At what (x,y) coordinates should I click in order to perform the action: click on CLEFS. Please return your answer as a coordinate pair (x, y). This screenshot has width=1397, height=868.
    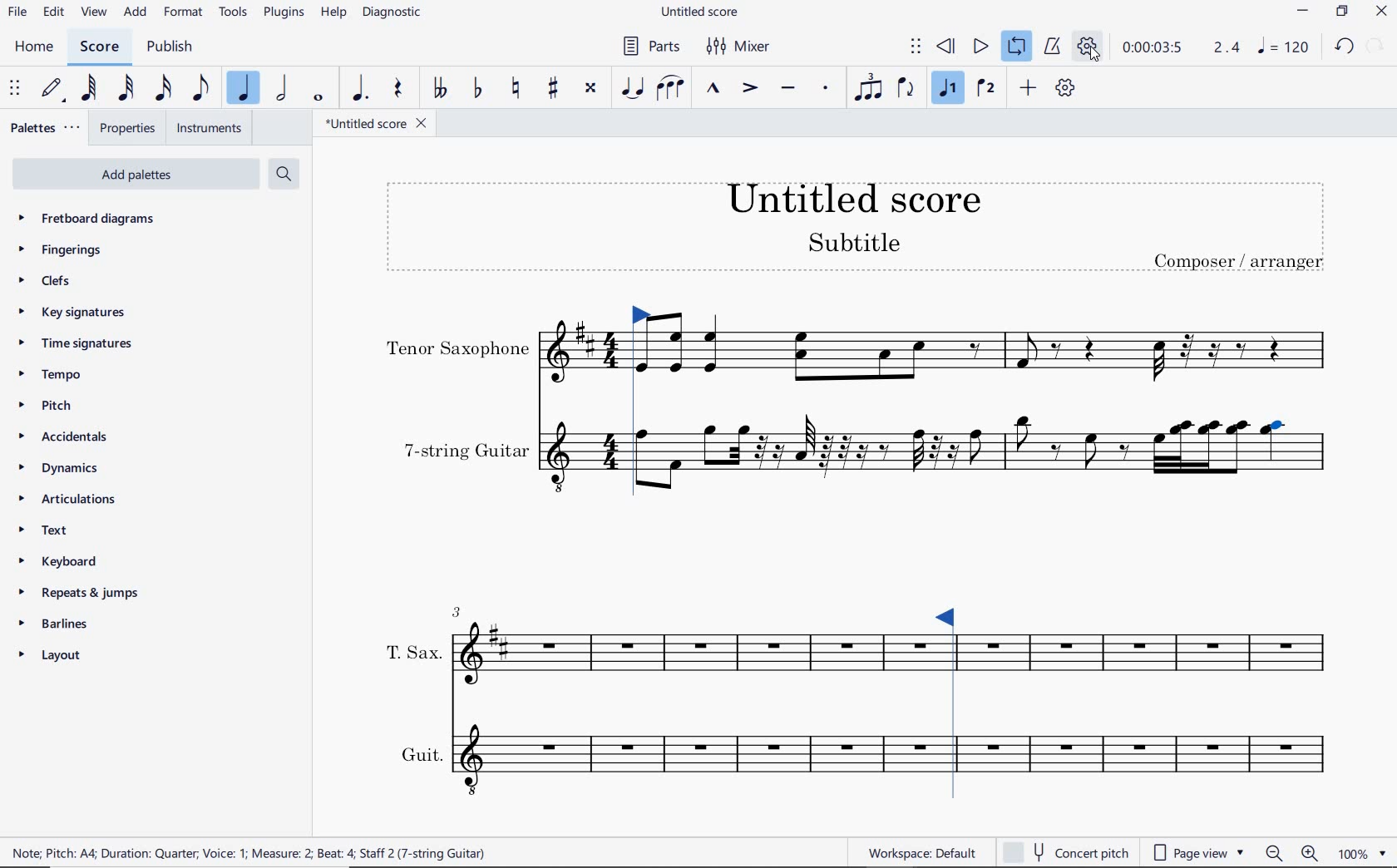
    Looking at the image, I should click on (52, 282).